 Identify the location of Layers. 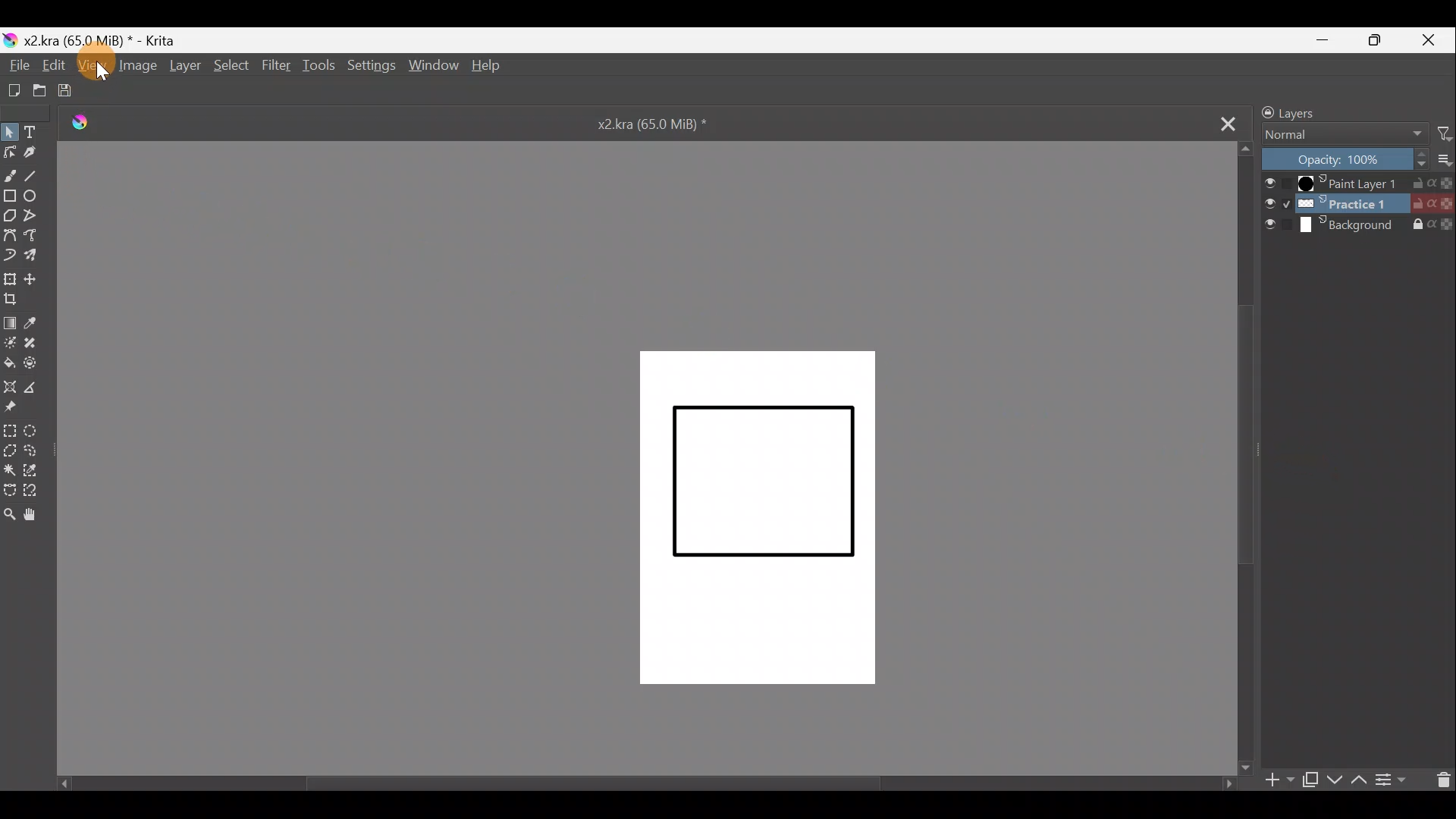
(1325, 111).